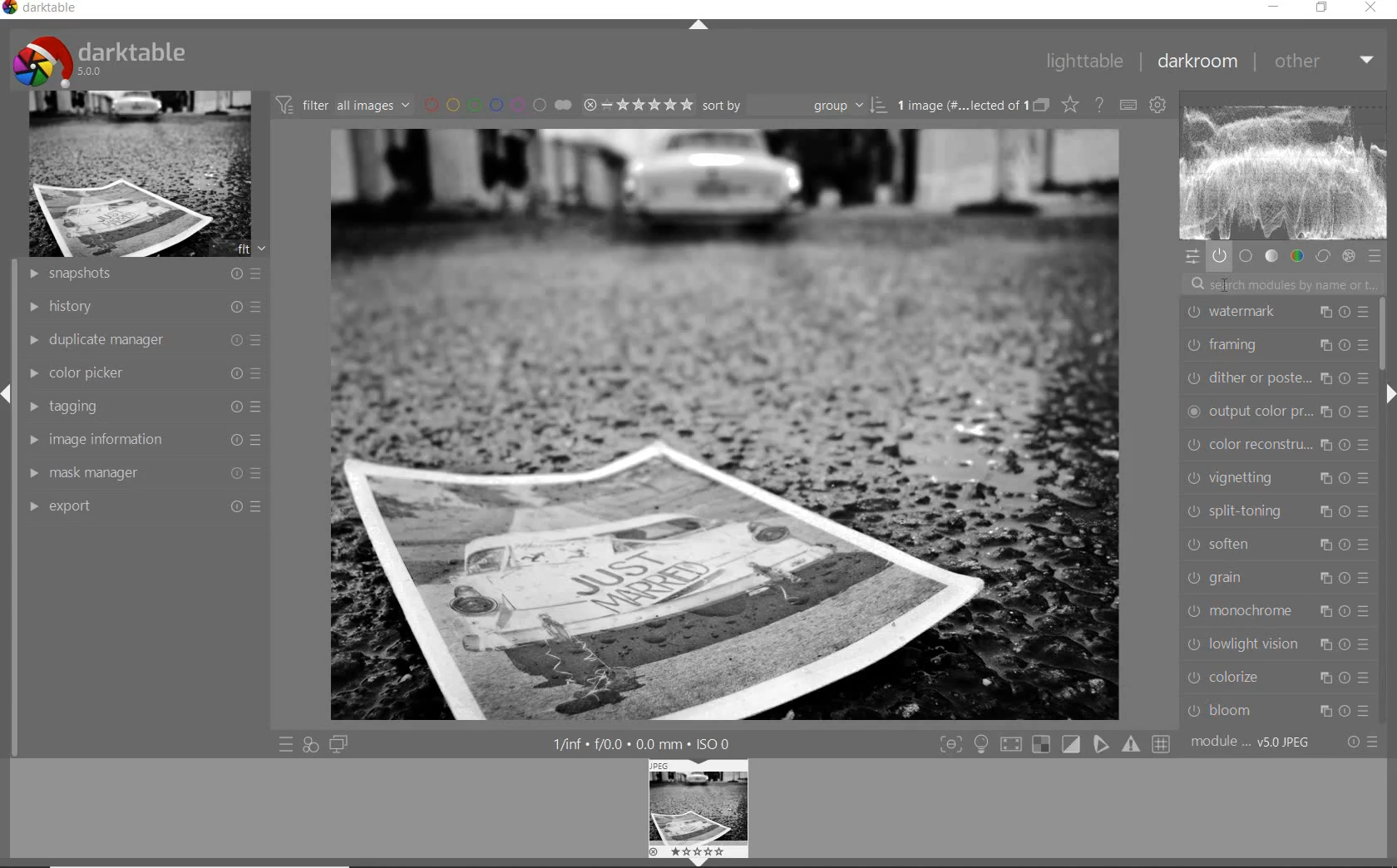 Image resolution: width=1397 pixels, height=868 pixels. I want to click on image previe, so click(699, 813).